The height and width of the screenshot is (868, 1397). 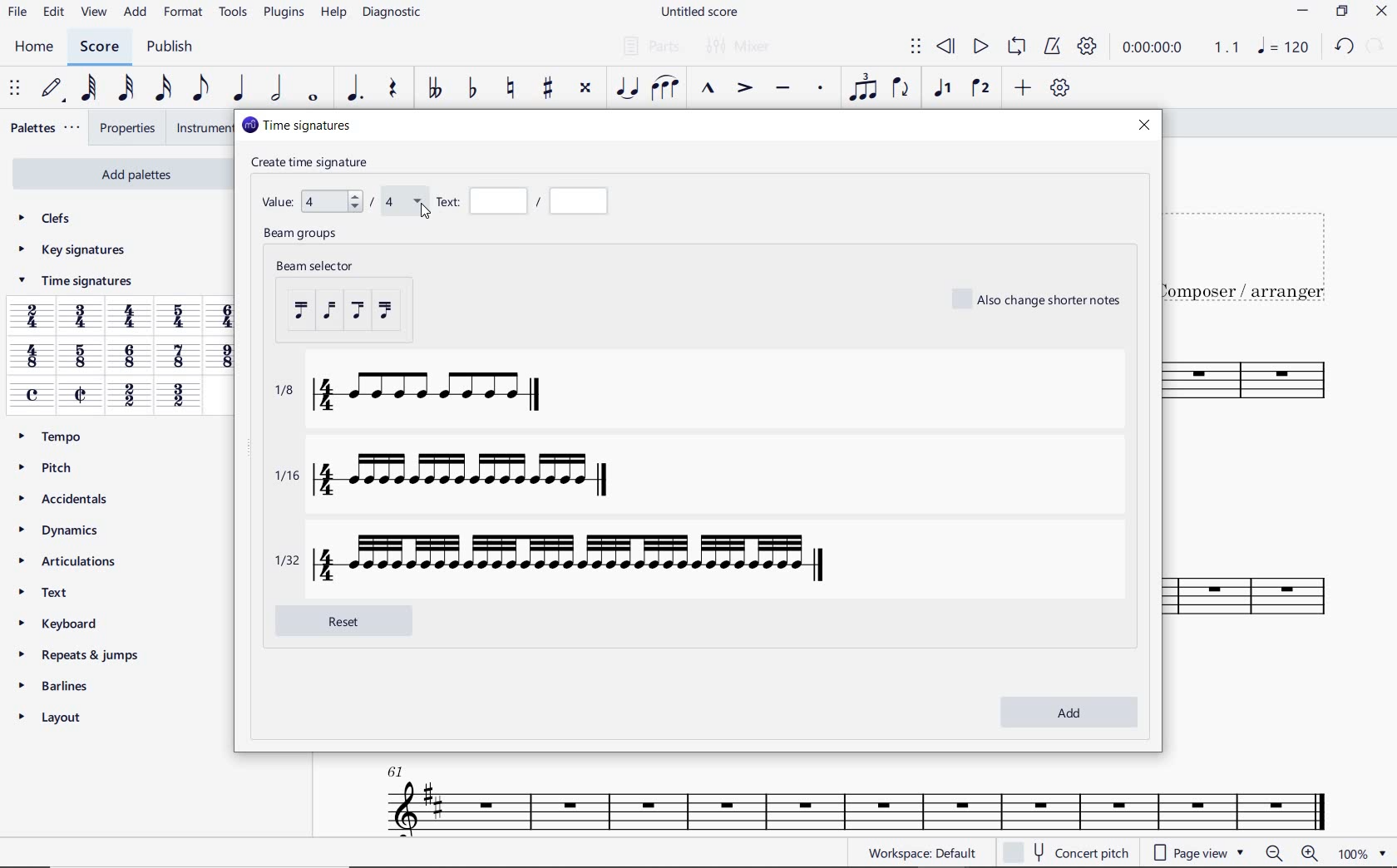 What do you see at coordinates (1196, 854) in the screenshot?
I see `PAGE VIEW` at bounding box center [1196, 854].